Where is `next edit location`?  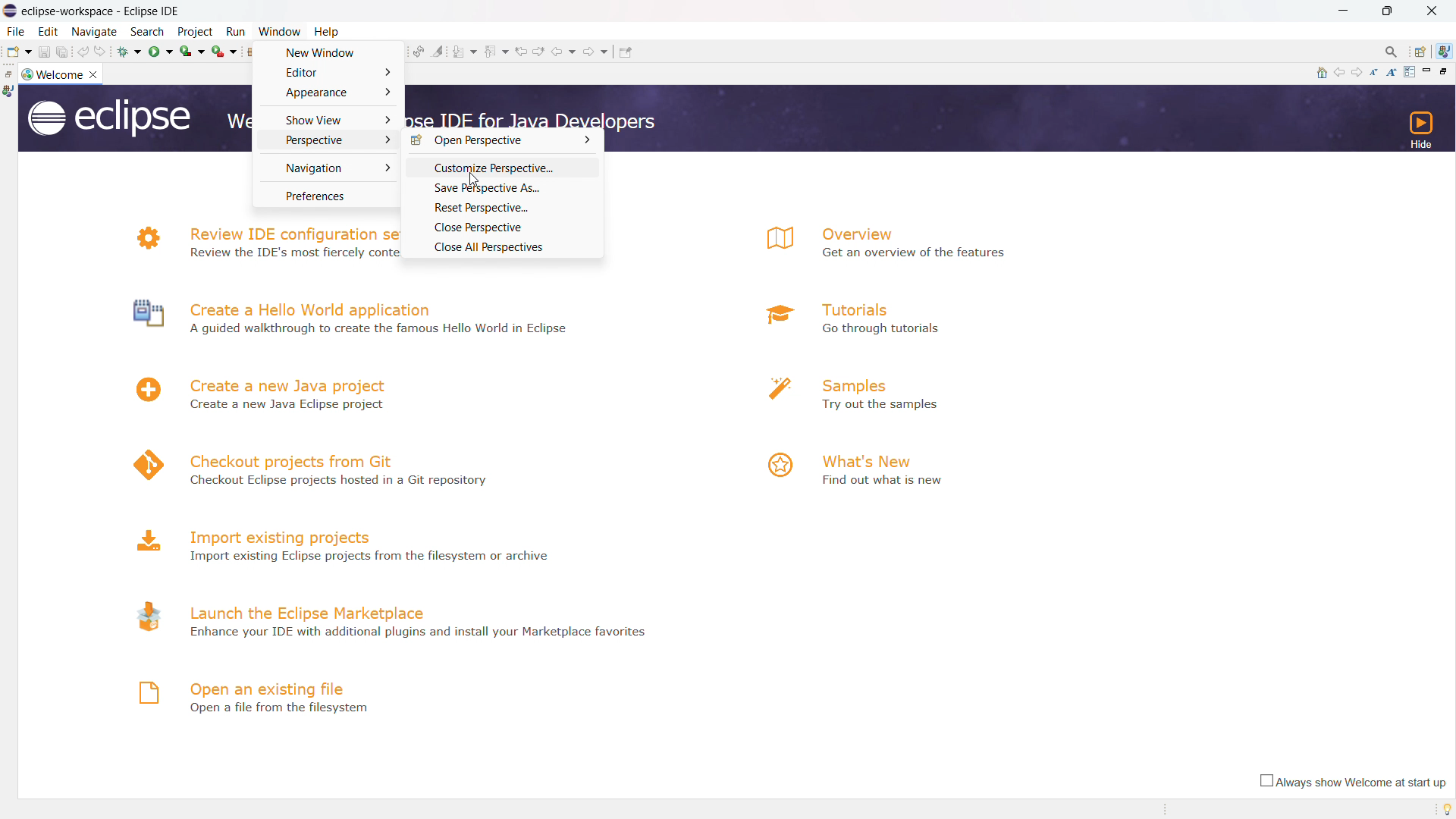
next edit location is located at coordinates (540, 51).